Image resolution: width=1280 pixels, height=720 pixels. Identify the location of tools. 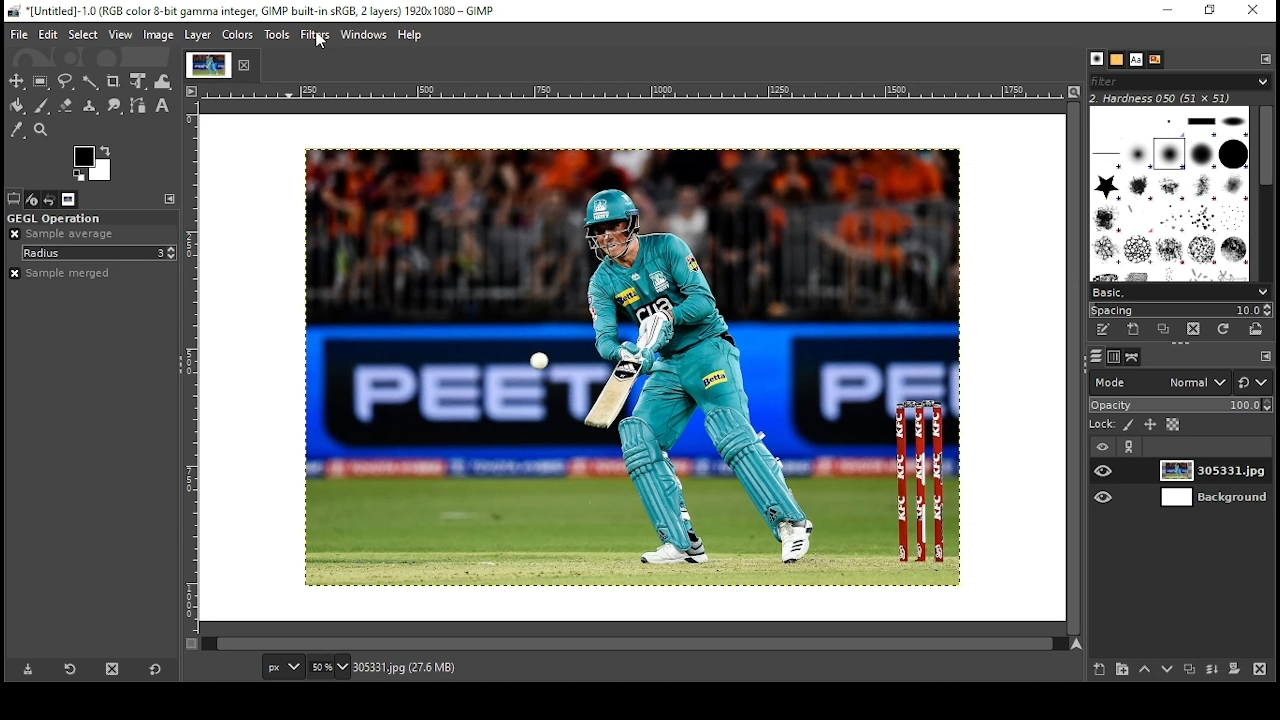
(277, 35).